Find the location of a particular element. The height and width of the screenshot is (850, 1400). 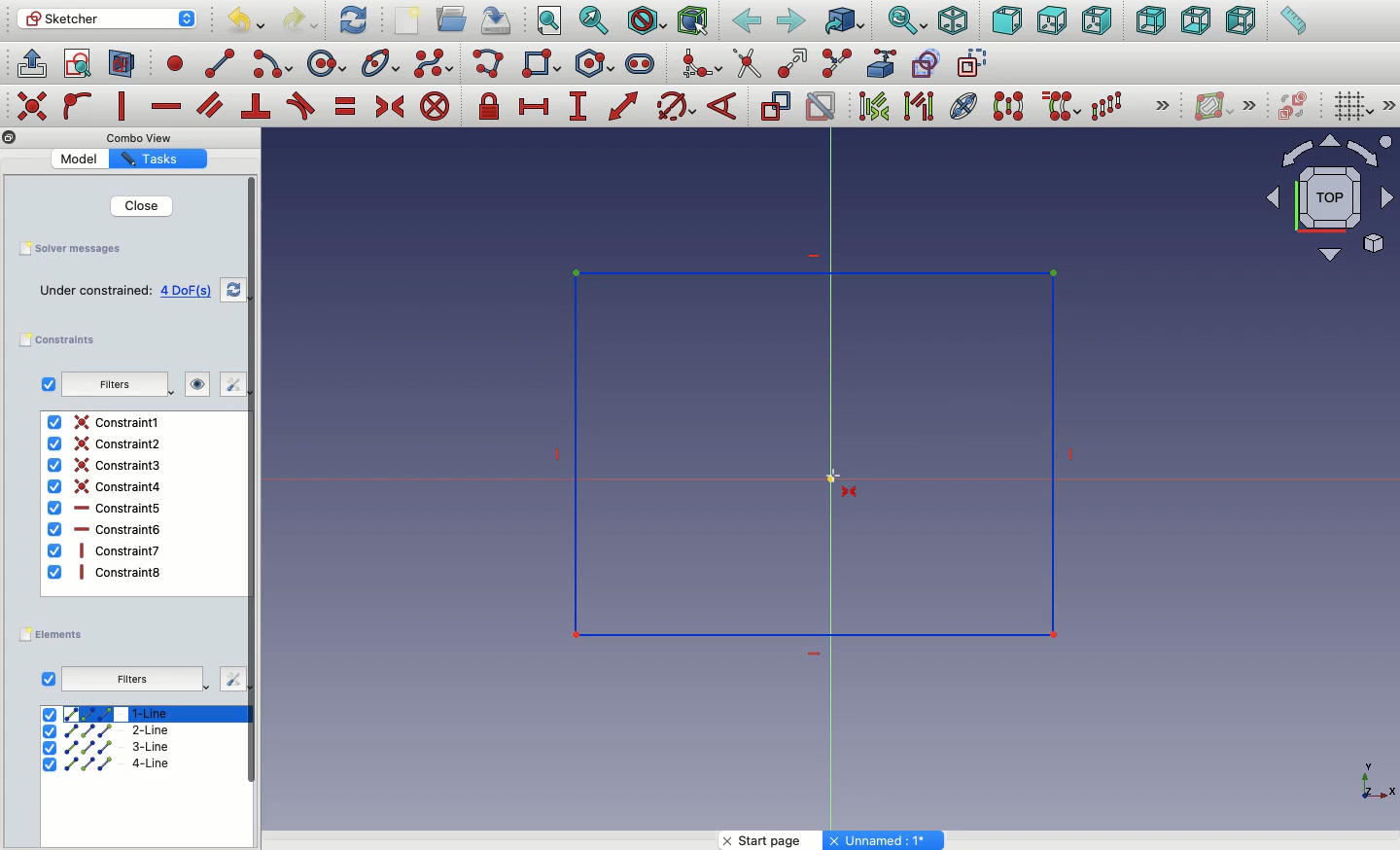

constrain horizontal distance is located at coordinates (535, 105).